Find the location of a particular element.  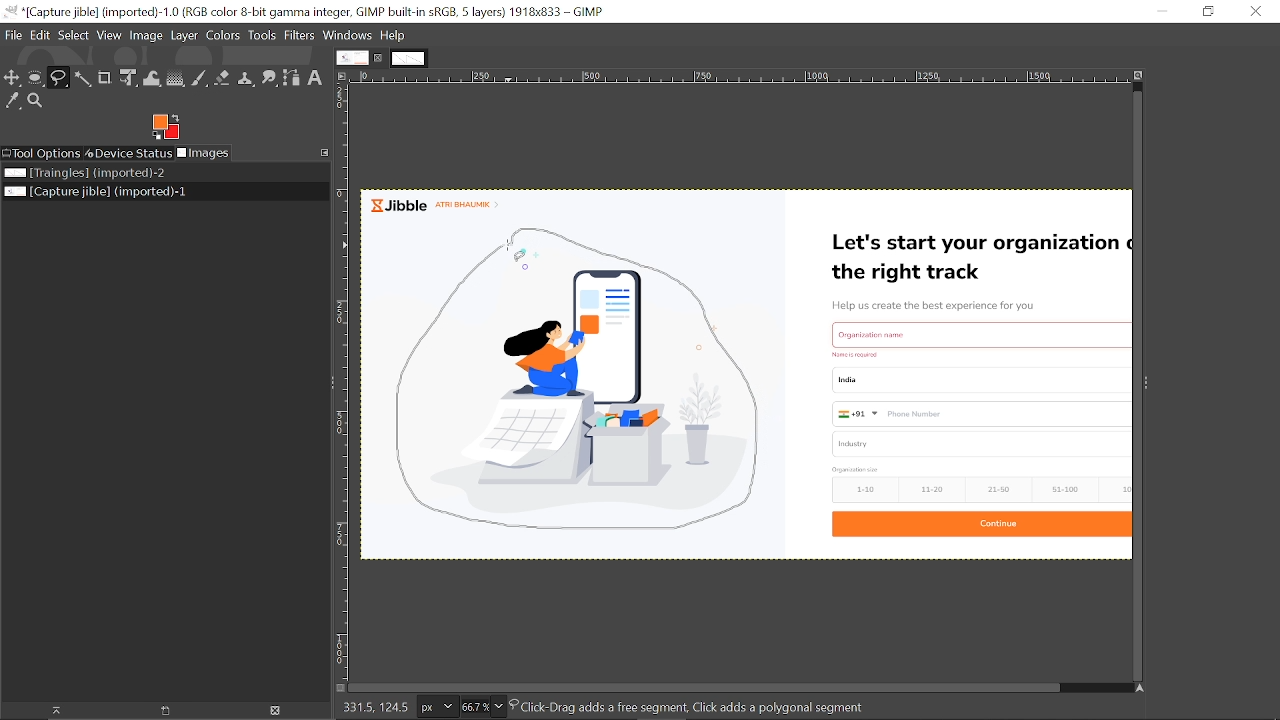

Delete this image is located at coordinates (270, 710).